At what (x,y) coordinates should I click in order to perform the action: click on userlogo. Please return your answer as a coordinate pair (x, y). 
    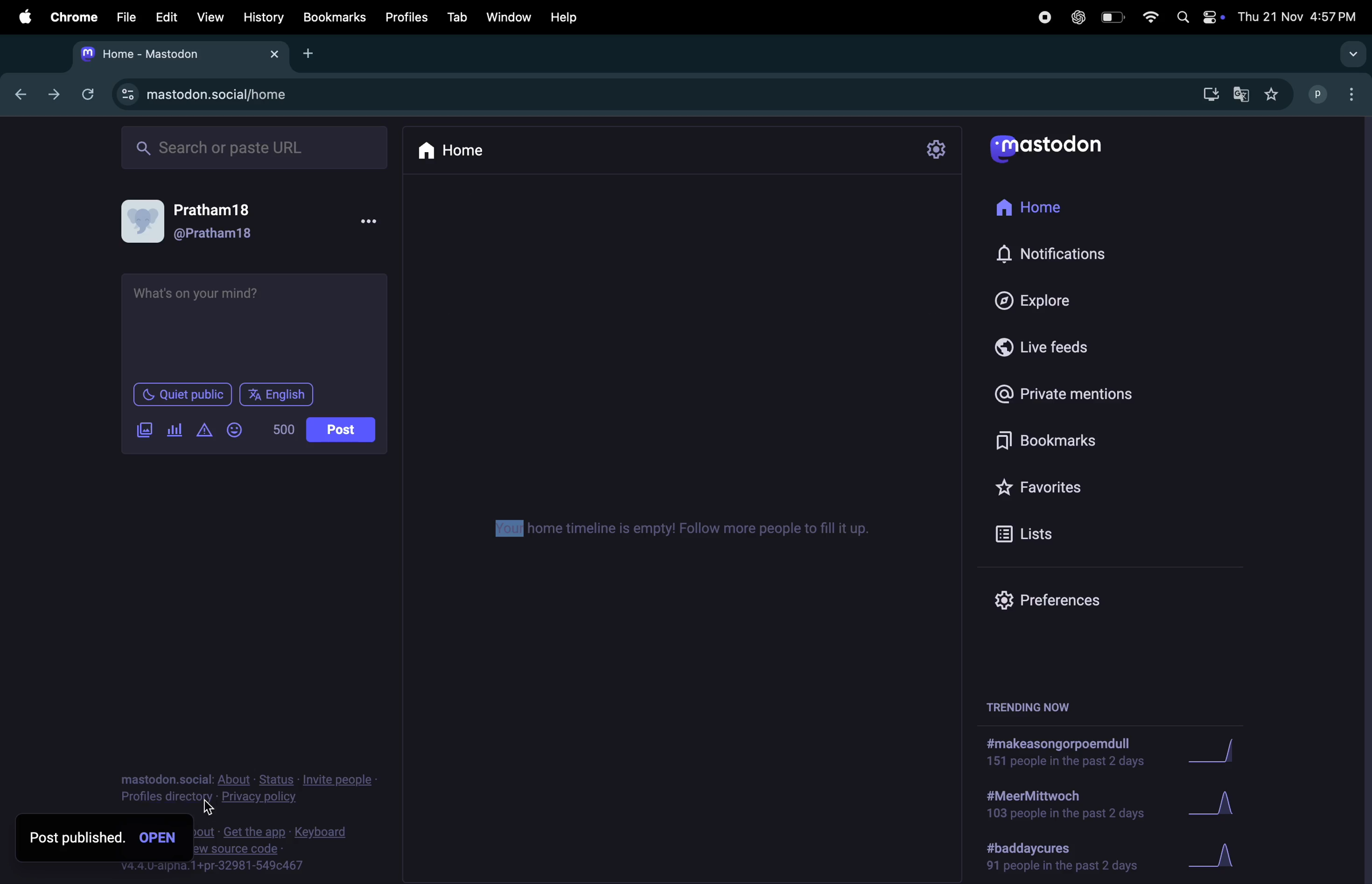
    Looking at the image, I should click on (1045, 149).